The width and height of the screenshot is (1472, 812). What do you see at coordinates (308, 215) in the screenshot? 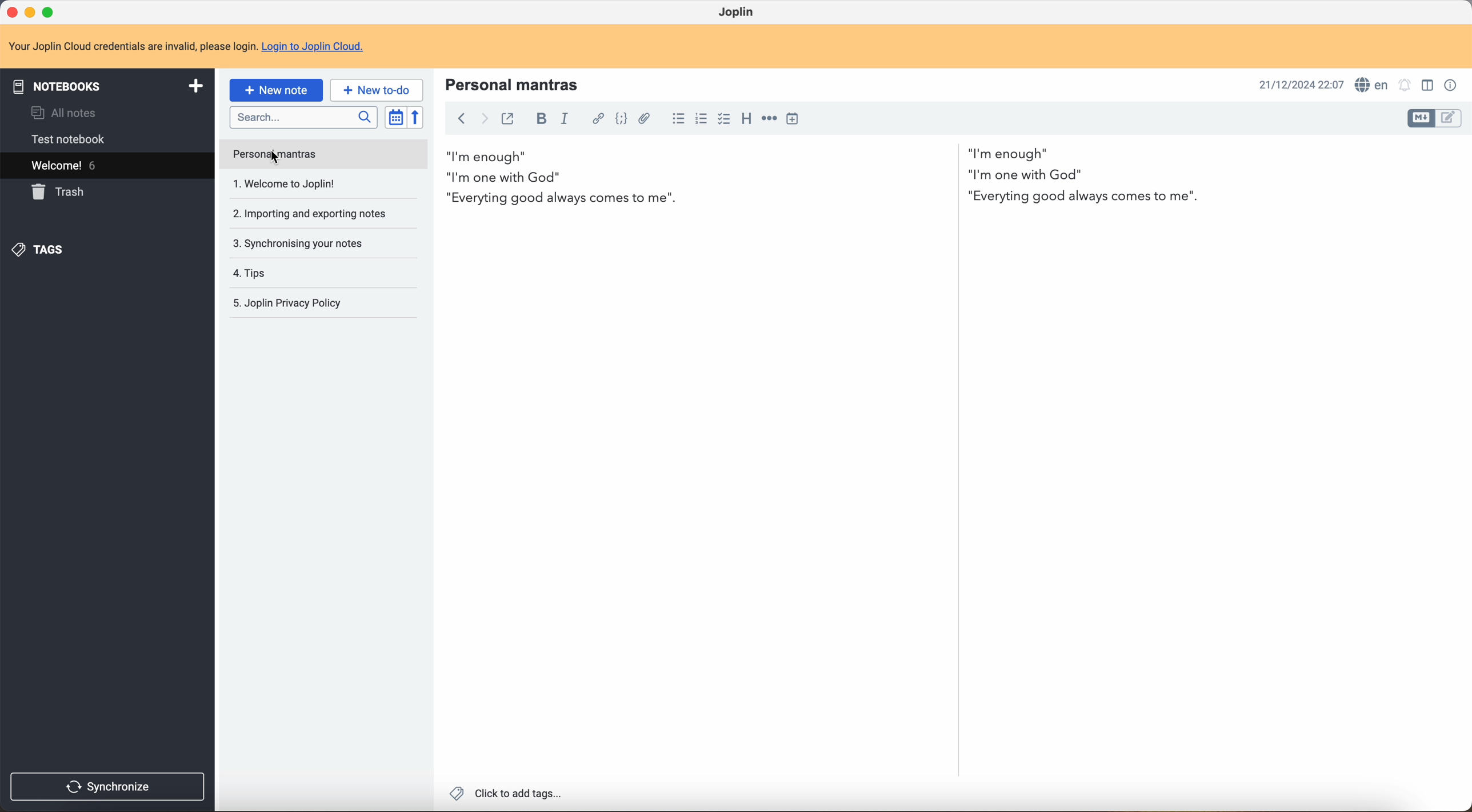
I see `importing and exporting notes` at bounding box center [308, 215].